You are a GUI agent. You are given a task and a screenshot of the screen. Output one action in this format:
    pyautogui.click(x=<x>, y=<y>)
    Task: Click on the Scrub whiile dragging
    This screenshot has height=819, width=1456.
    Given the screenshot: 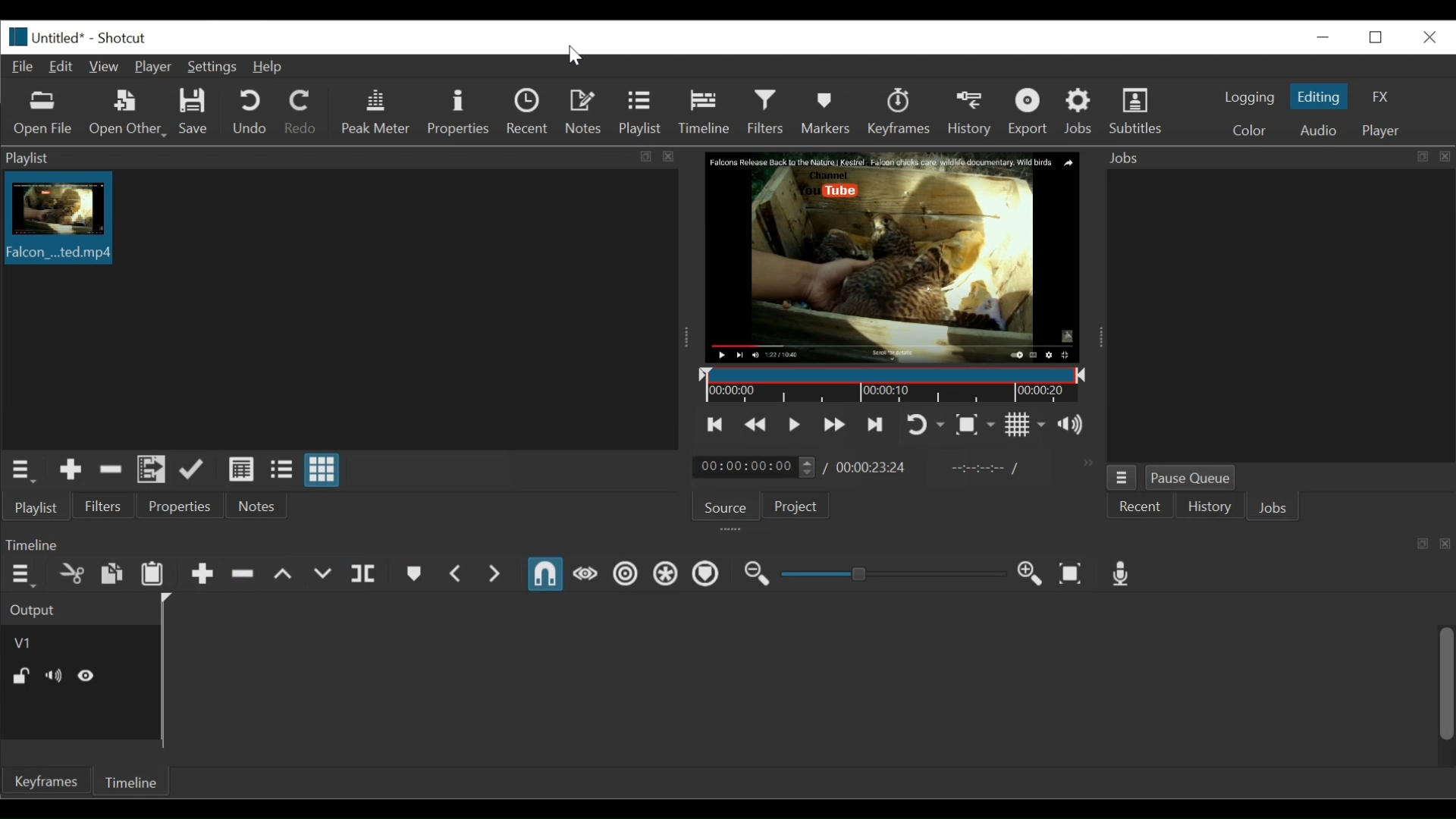 What is the action you would take?
    pyautogui.click(x=585, y=576)
    